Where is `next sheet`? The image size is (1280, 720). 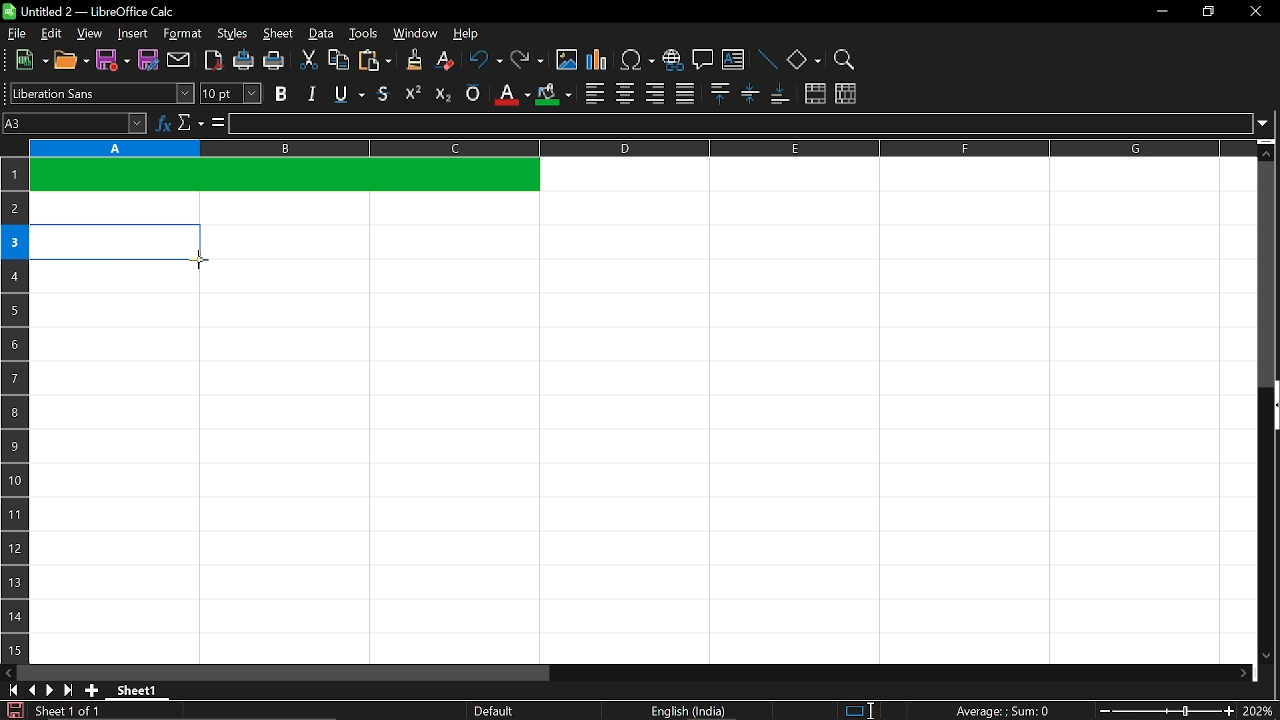
next sheet is located at coordinates (48, 690).